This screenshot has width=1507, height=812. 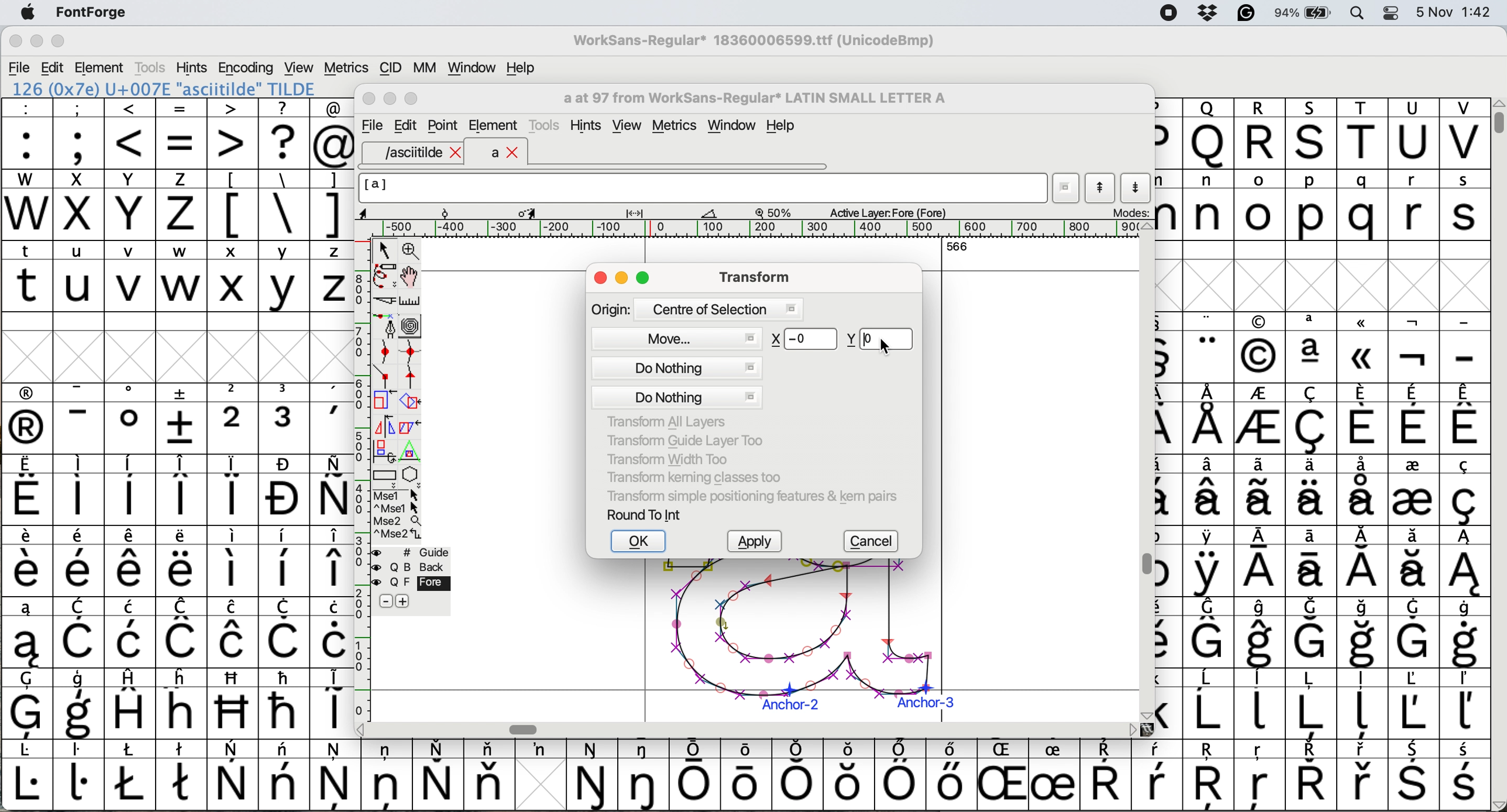 I want to click on symbol, so click(x=181, y=562).